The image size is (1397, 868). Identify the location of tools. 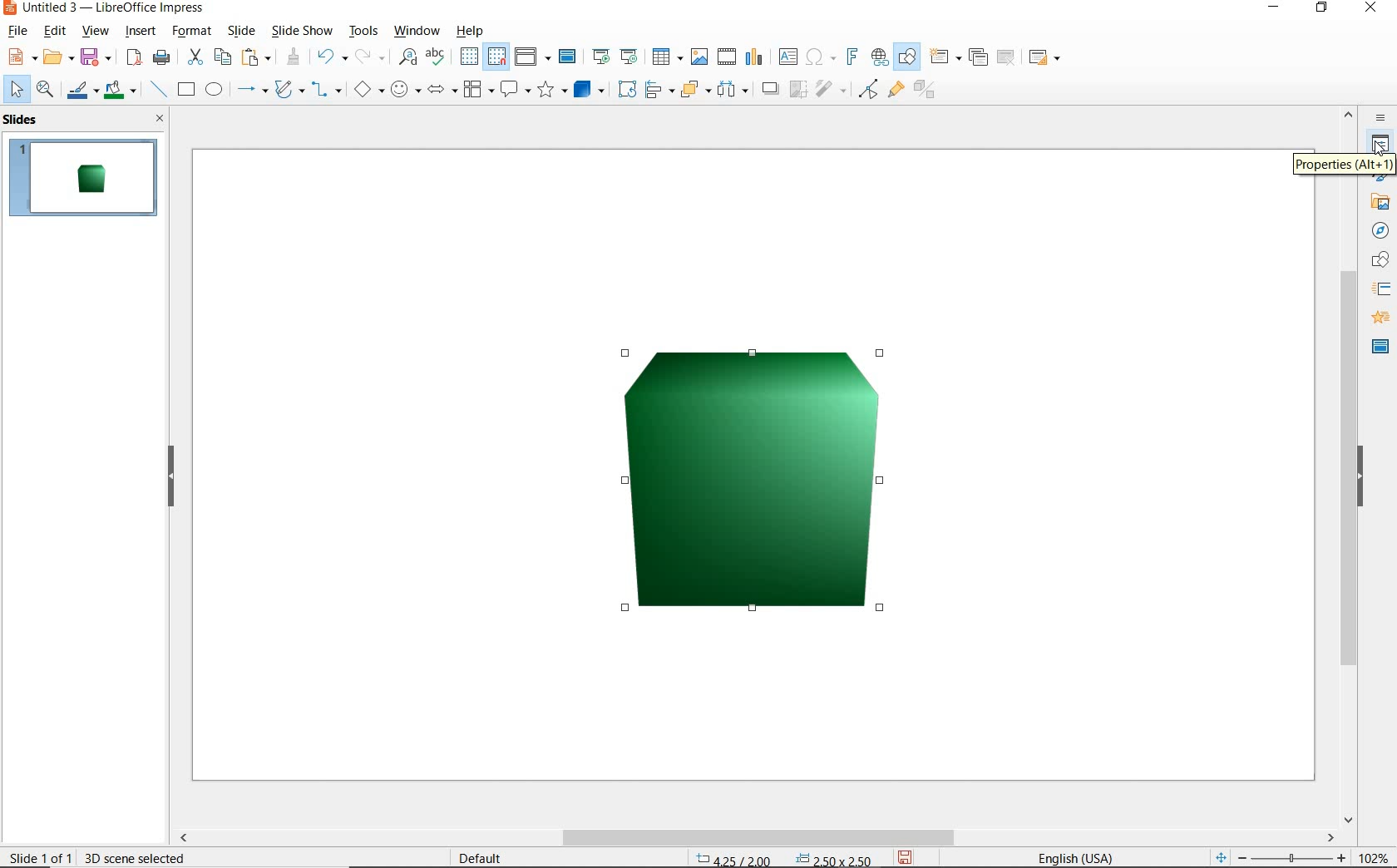
(364, 31).